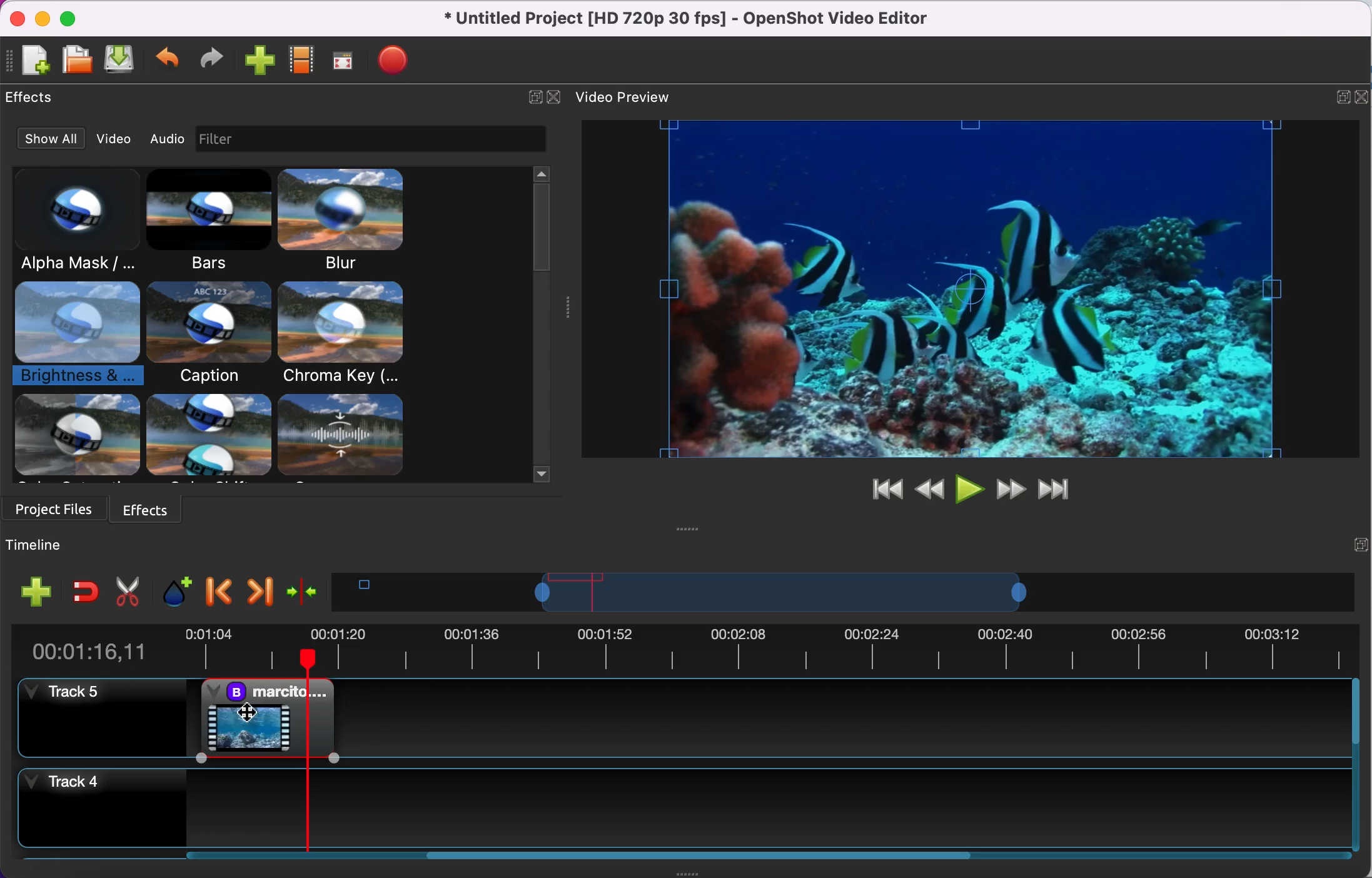 The image size is (1372, 878). I want to click on project files, so click(53, 508).